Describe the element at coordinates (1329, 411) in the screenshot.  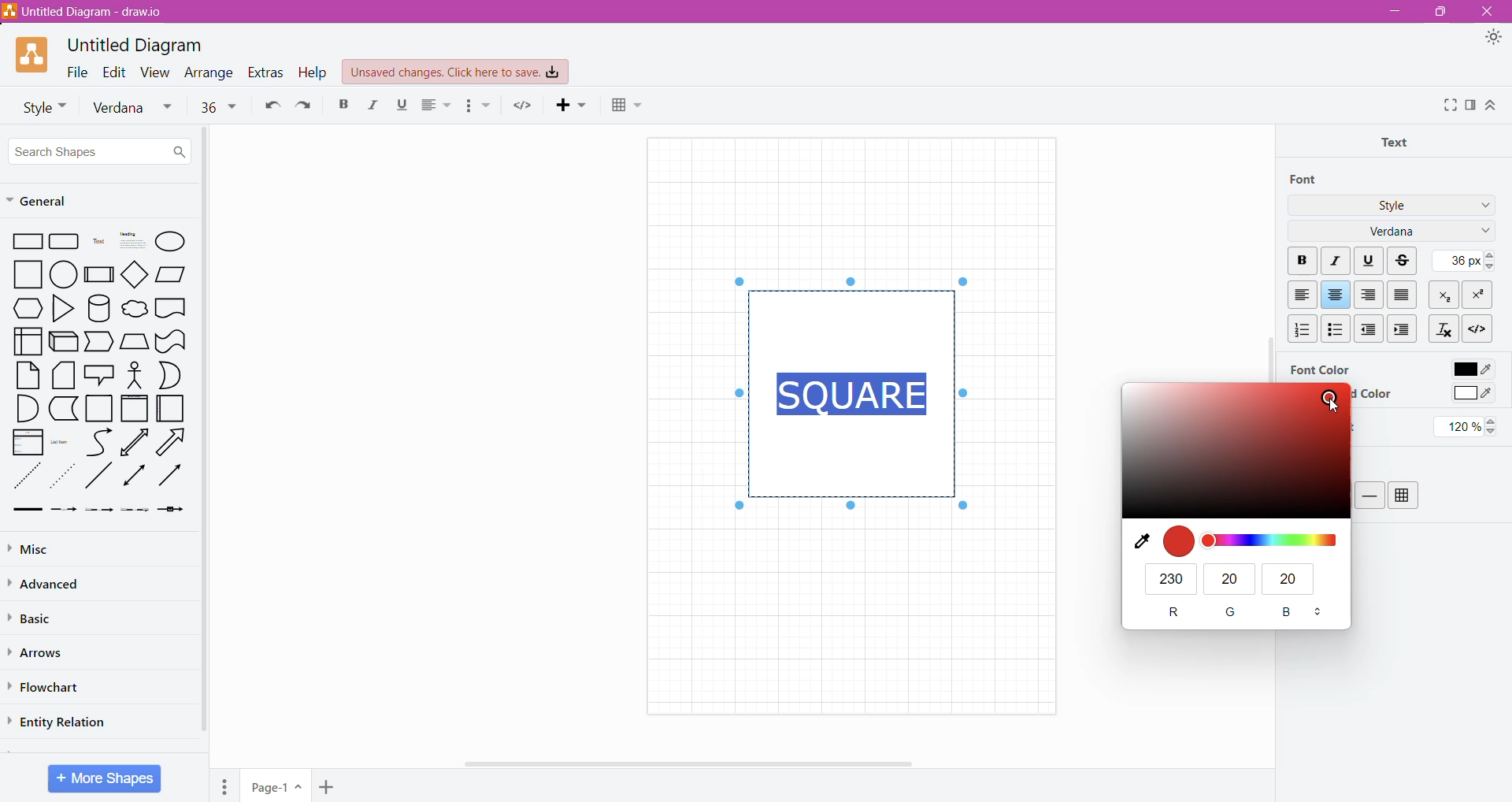
I see `cursor` at that location.